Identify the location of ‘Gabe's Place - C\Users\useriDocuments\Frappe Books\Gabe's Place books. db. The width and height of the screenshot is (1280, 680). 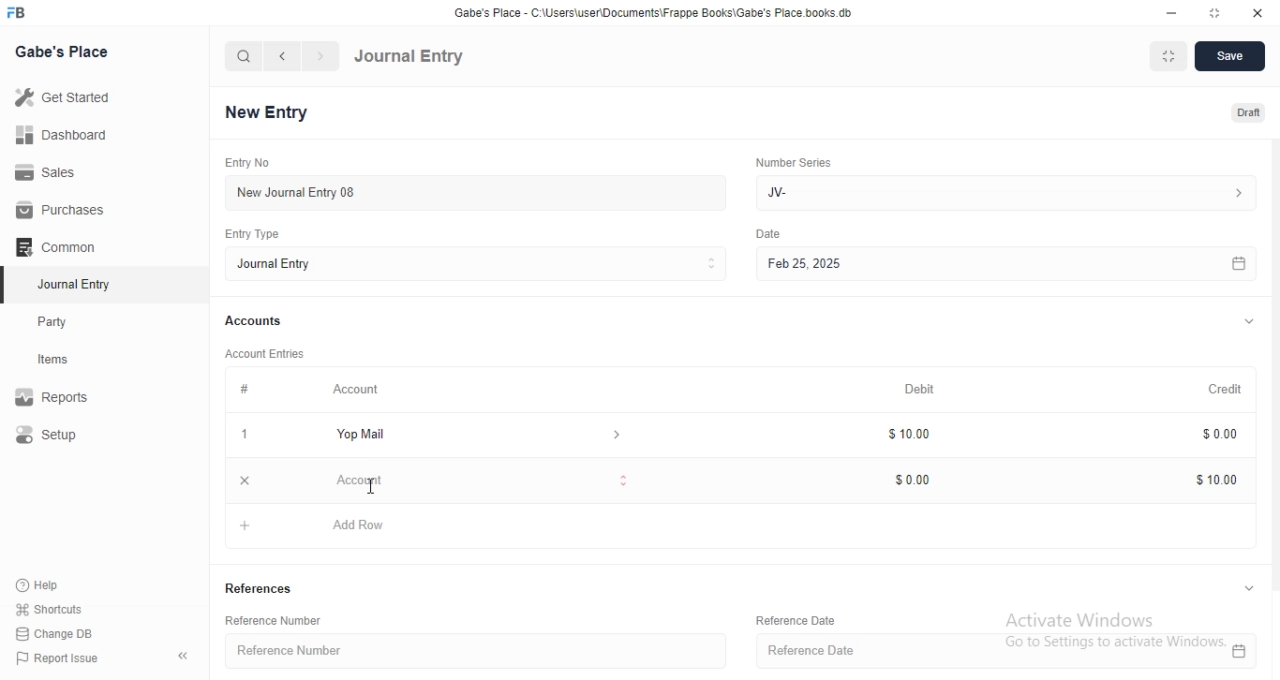
(650, 10).